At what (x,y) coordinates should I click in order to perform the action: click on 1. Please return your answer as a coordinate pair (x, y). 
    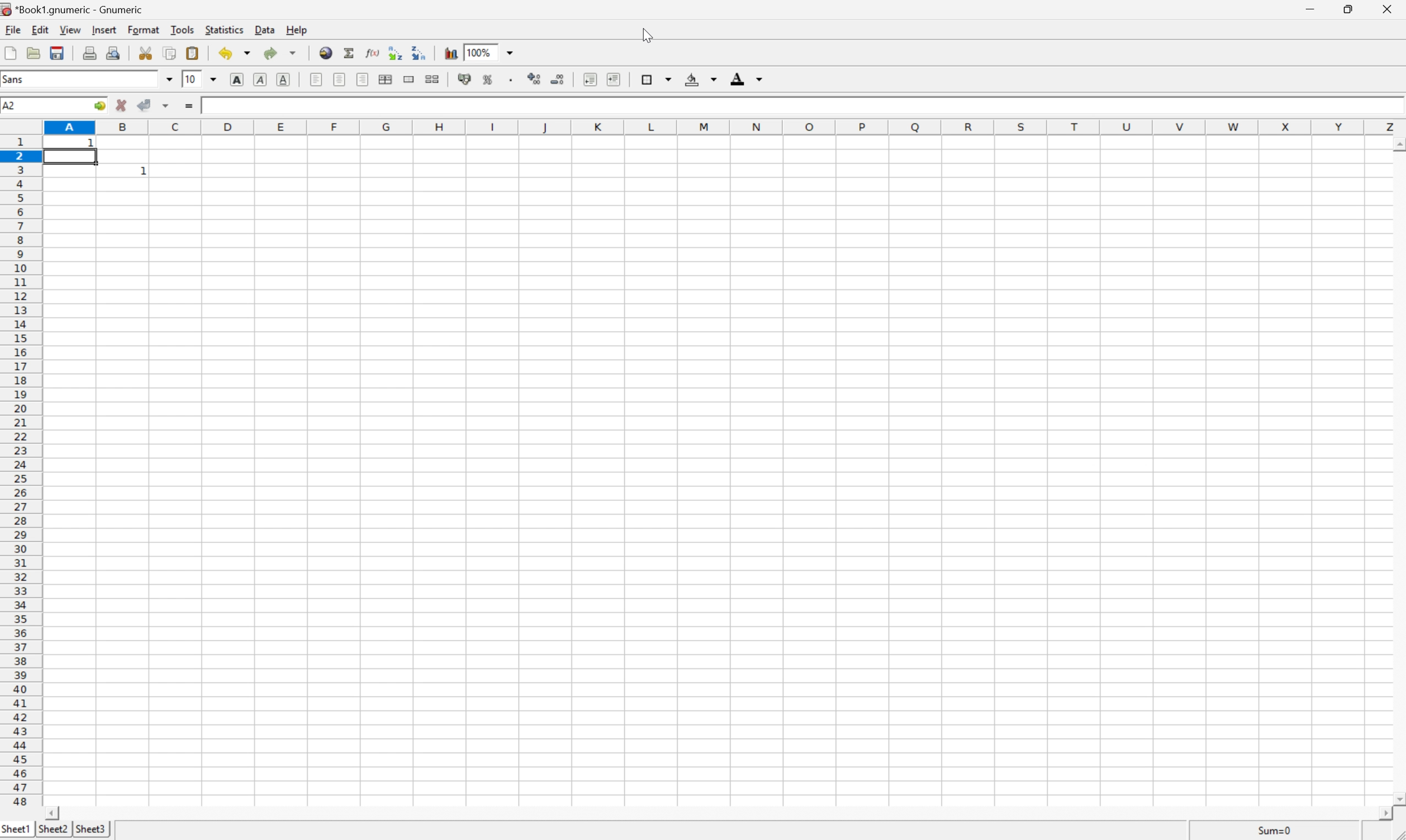
    Looking at the image, I should click on (90, 147).